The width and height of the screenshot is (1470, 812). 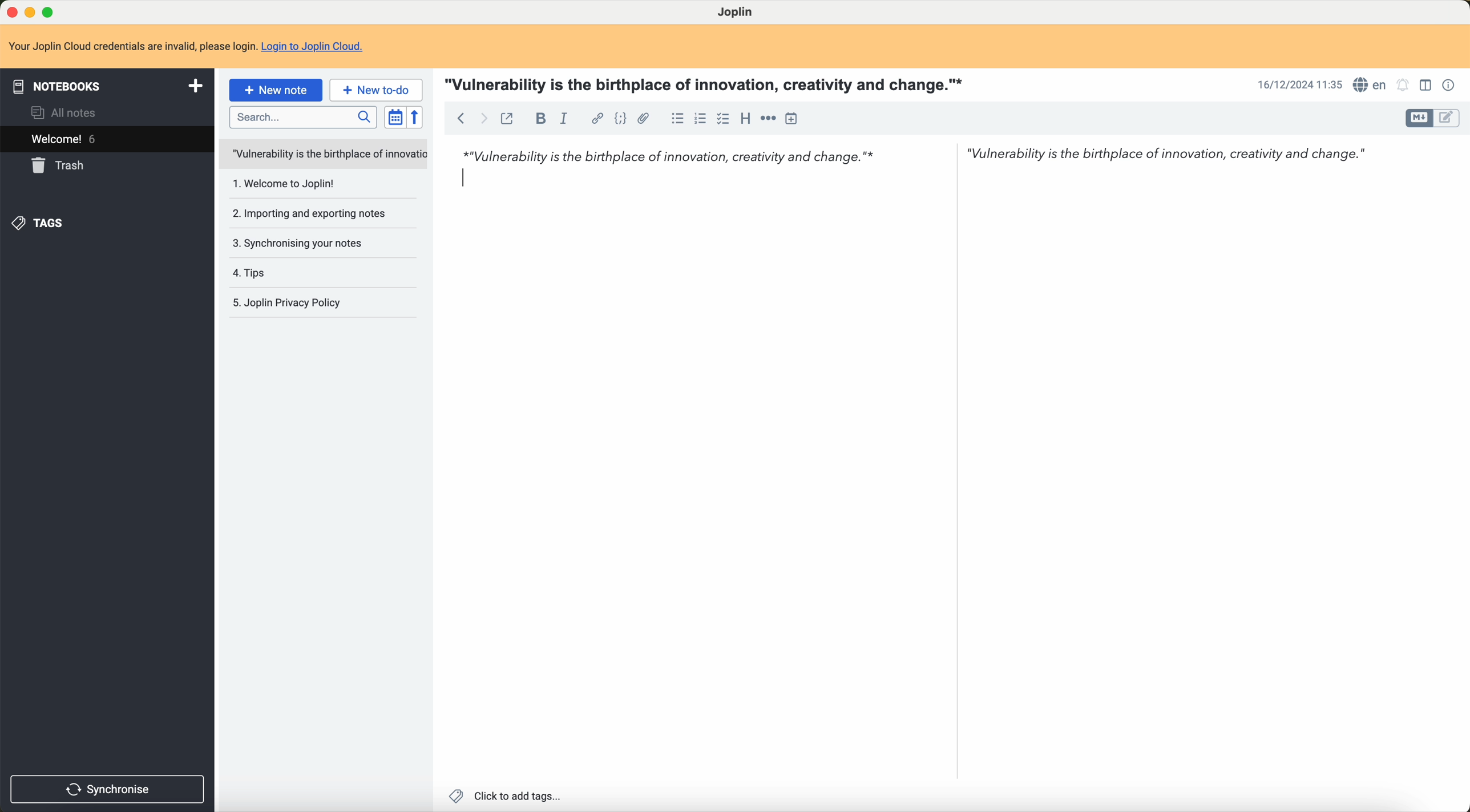 I want to click on horizontal rule, so click(x=768, y=118).